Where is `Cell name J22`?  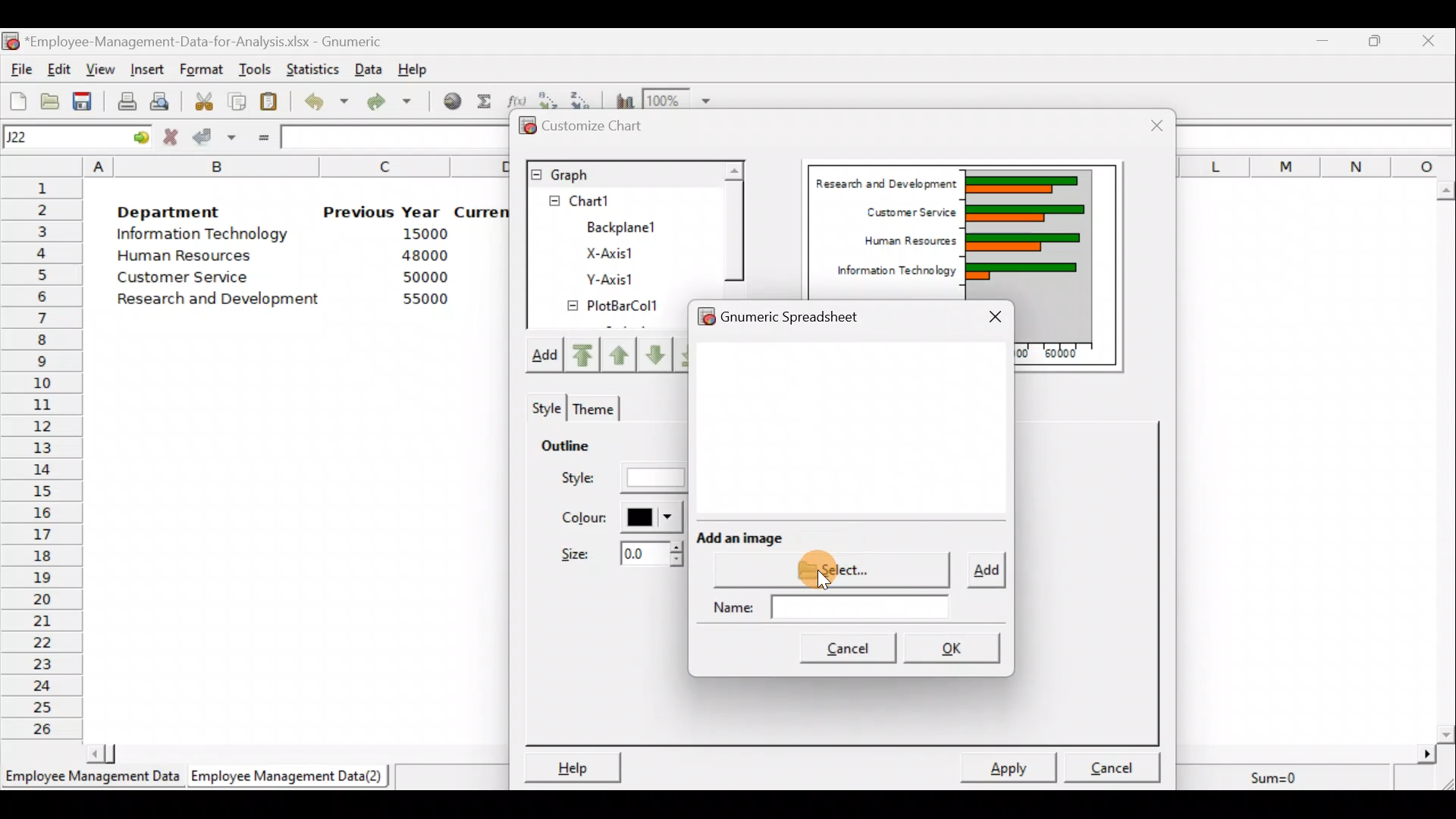 Cell name J22 is located at coordinates (58, 137).